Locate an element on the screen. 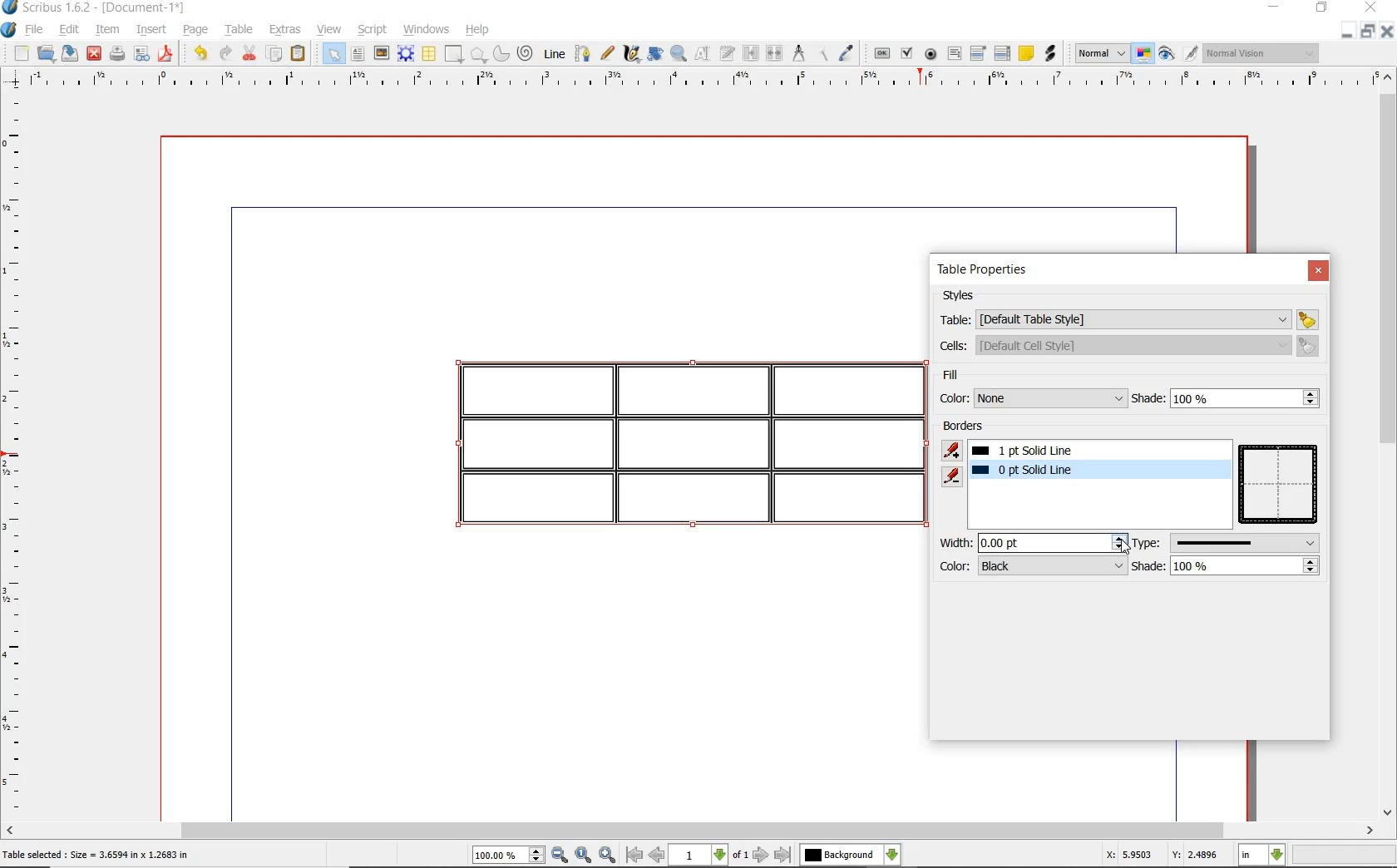  polygon is located at coordinates (479, 55).